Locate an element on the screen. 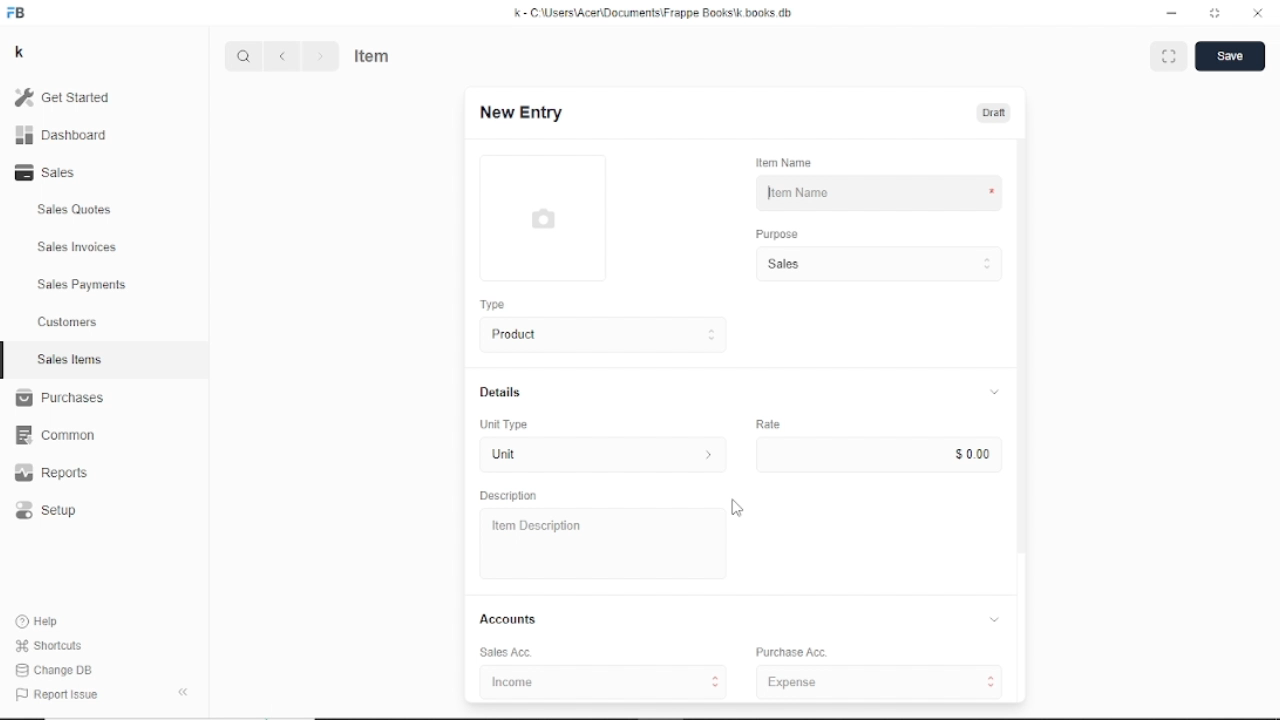  Shortcuts is located at coordinates (51, 647).